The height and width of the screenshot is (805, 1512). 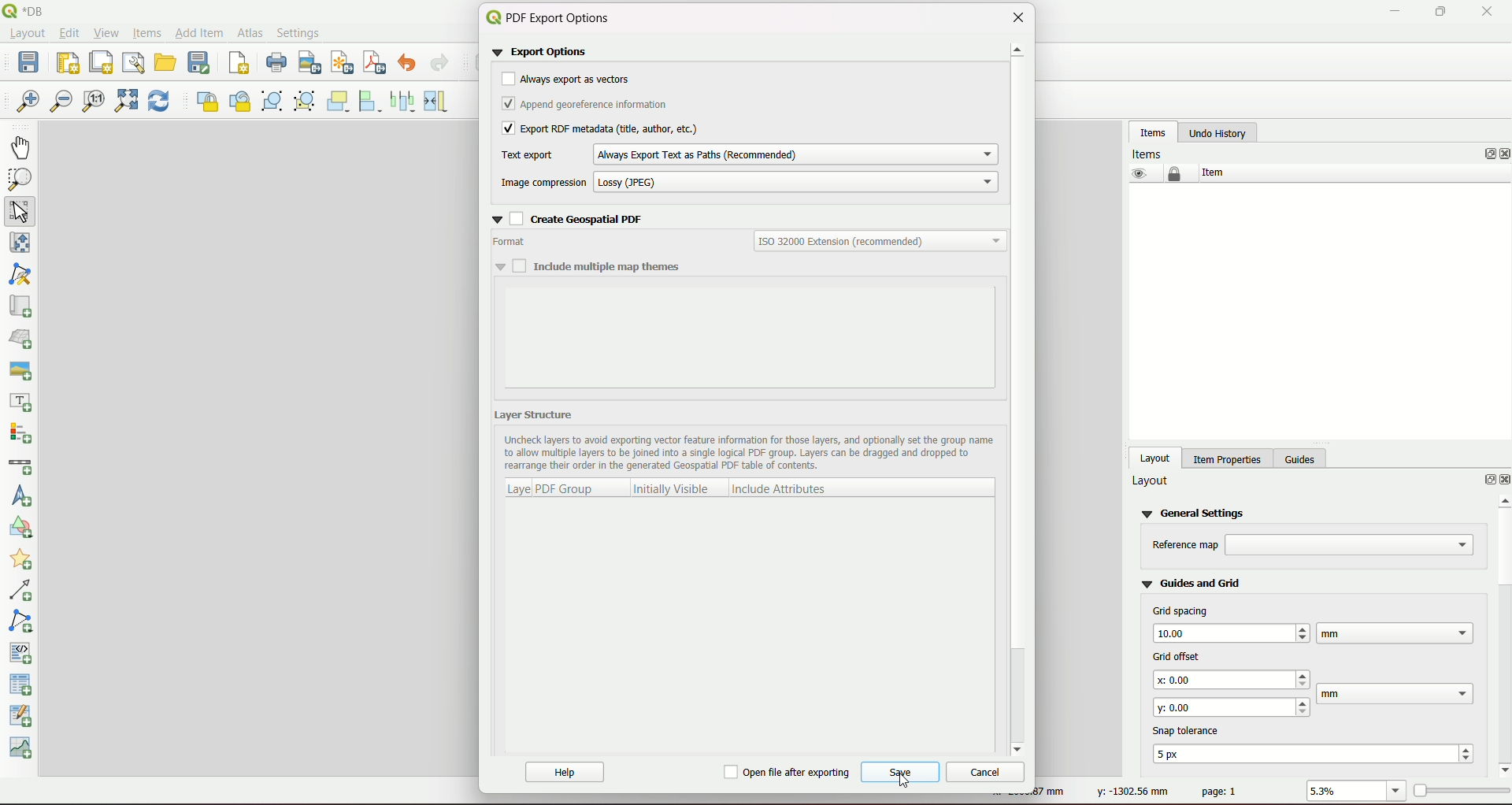 I want to click on cancel, so click(x=983, y=771).